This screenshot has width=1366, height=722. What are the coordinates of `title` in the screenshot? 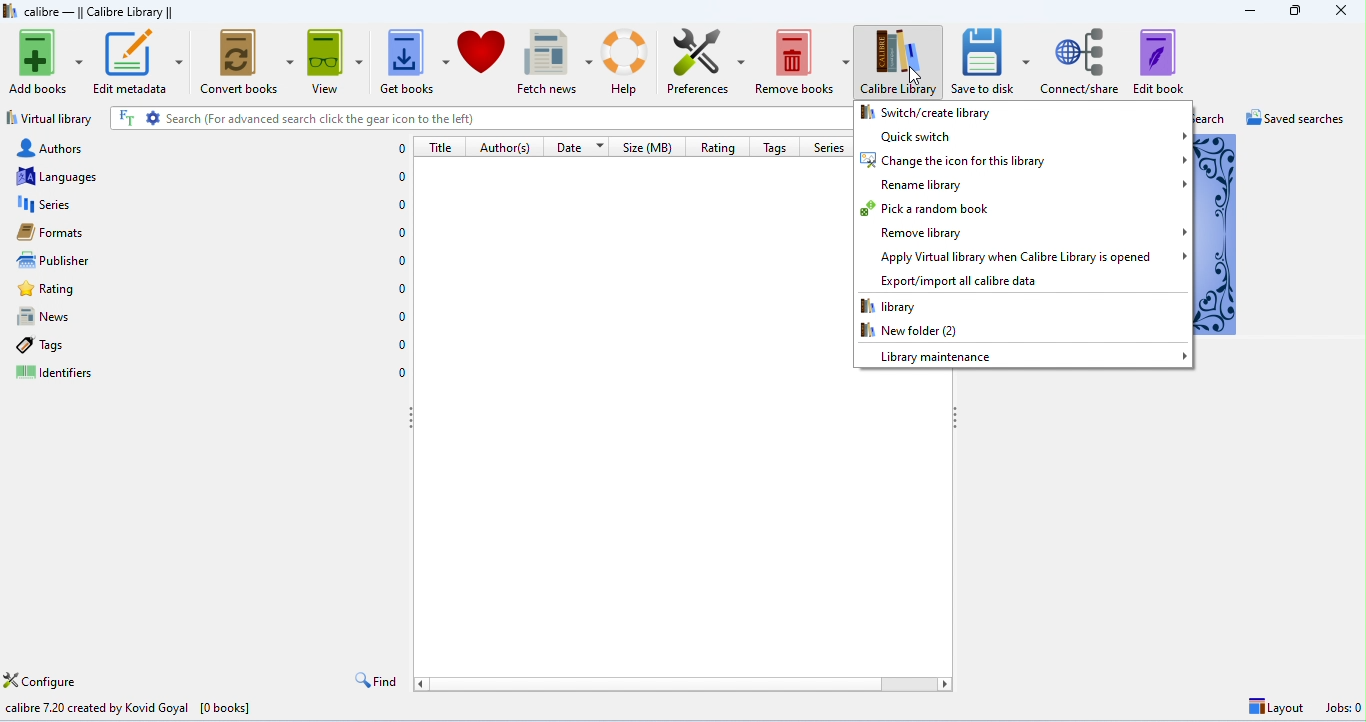 It's located at (440, 147).